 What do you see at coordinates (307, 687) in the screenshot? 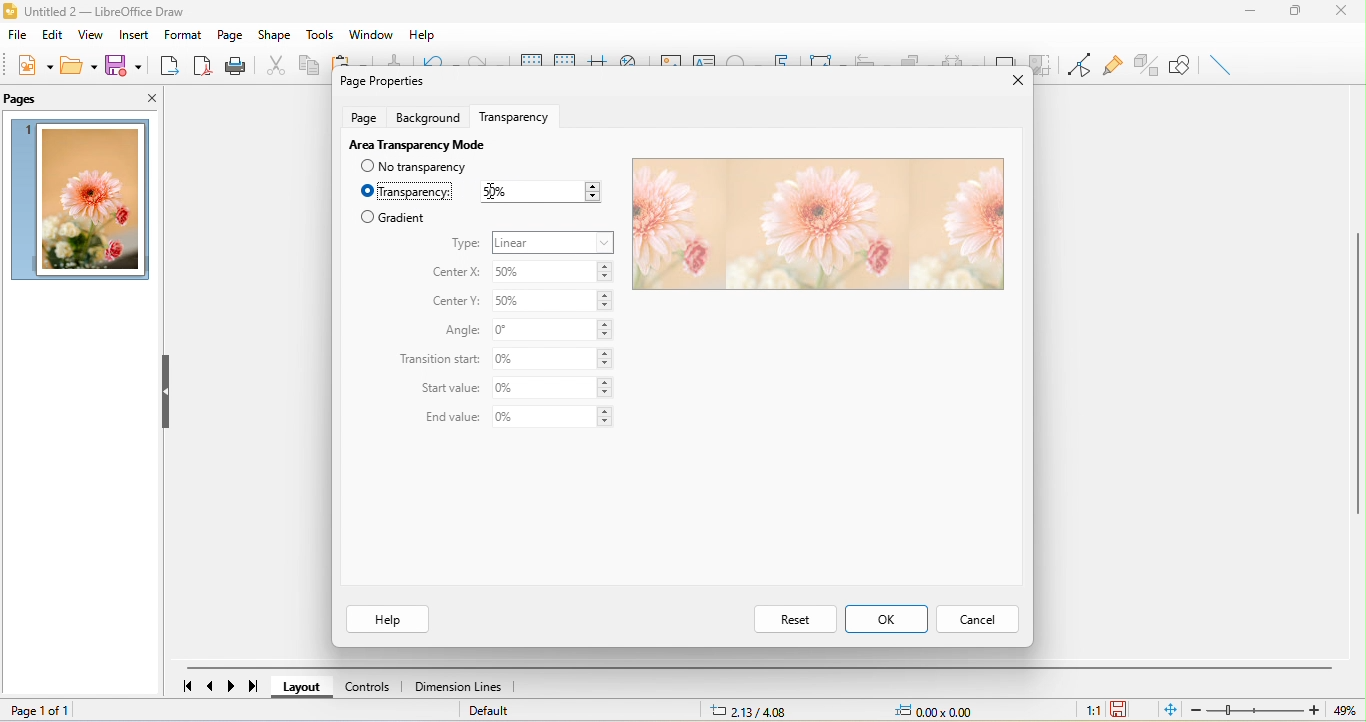
I see `layout` at bounding box center [307, 687].